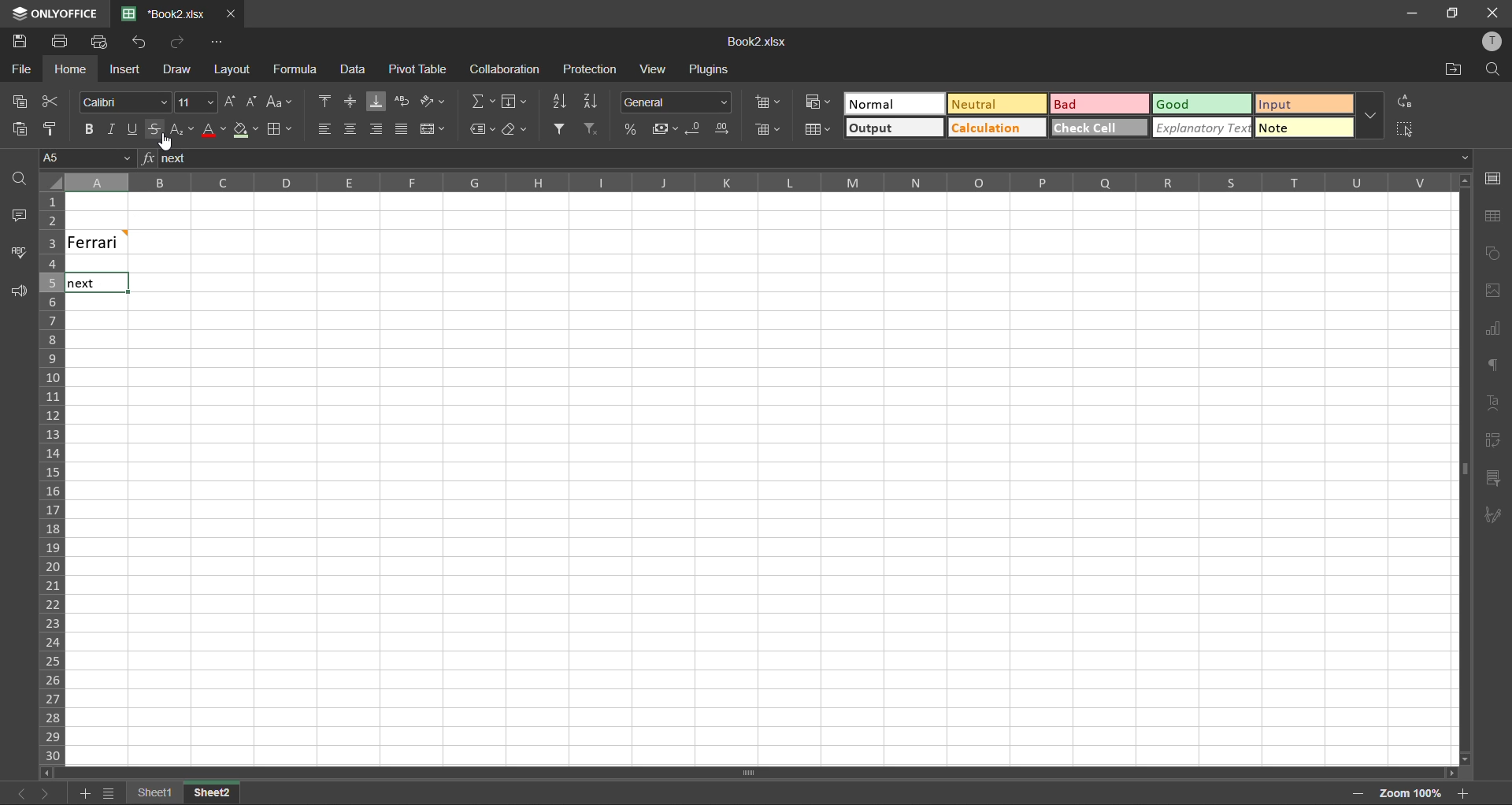  I want to click on cut, so click(54, 101).